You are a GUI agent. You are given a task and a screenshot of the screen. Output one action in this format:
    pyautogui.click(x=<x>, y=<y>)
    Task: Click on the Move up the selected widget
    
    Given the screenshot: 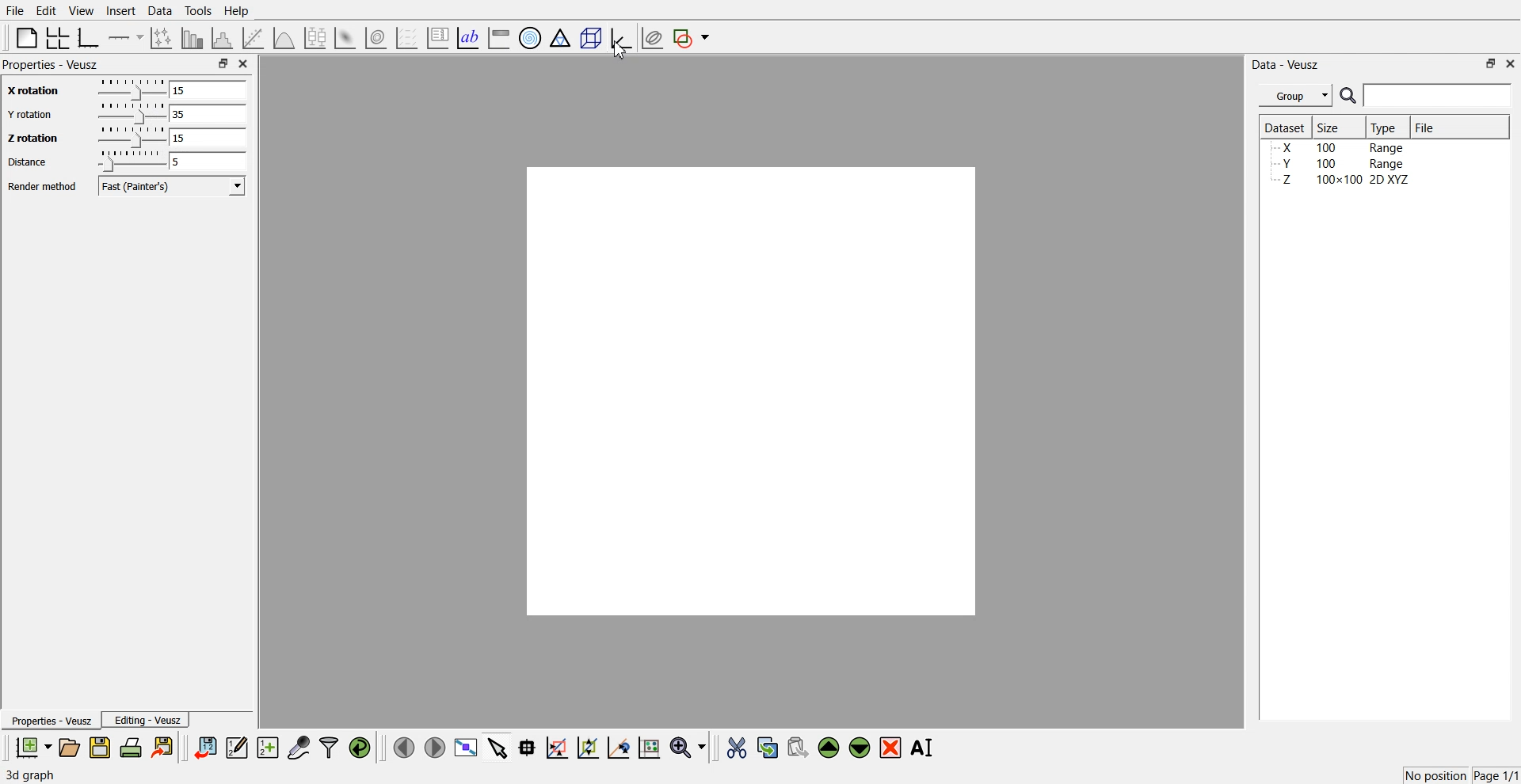 What is the action you would take?
    pyautogui.click(x=829, y=748)
    